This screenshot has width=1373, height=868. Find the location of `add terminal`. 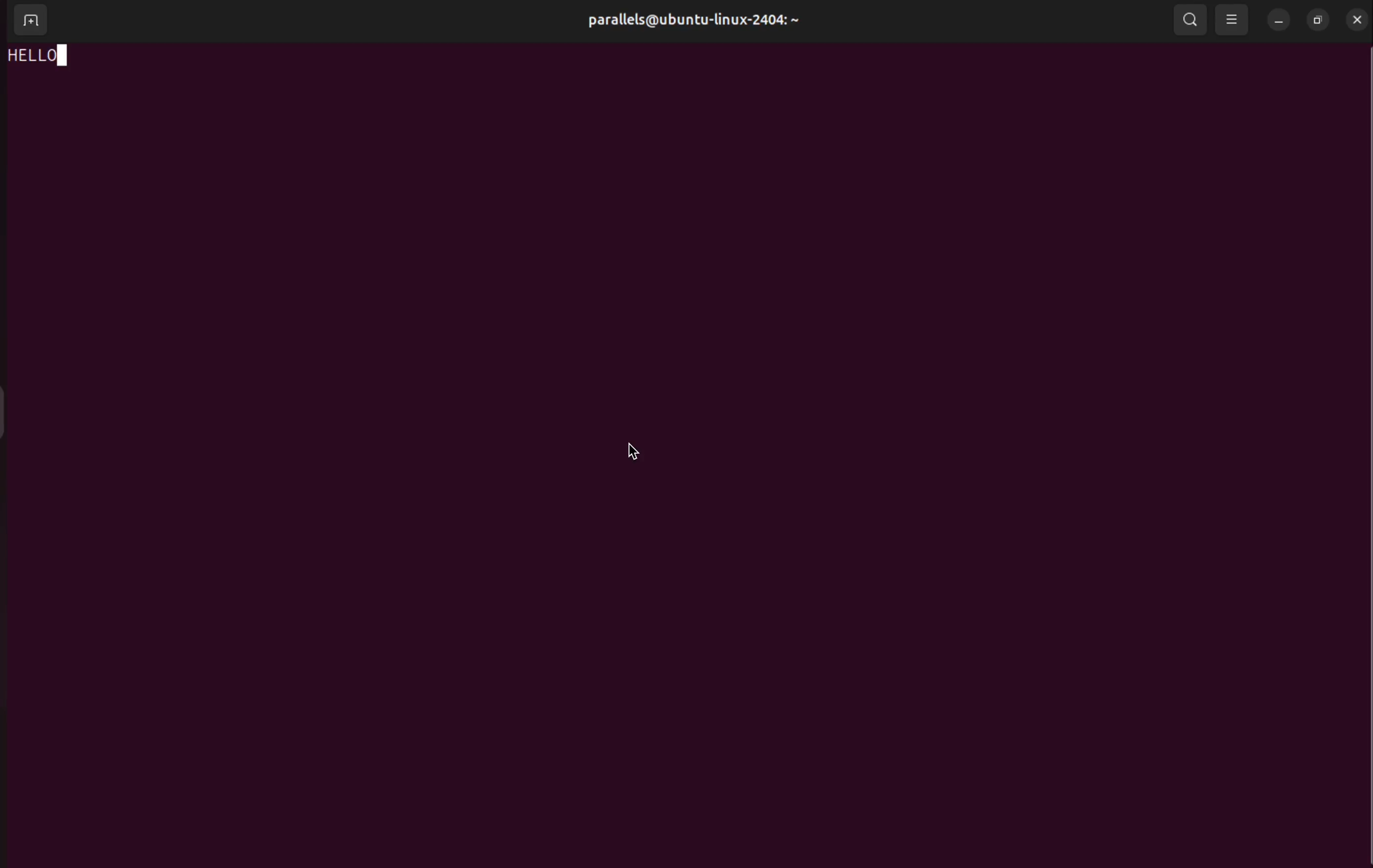

add terminal is located at coordinates (32, 22).